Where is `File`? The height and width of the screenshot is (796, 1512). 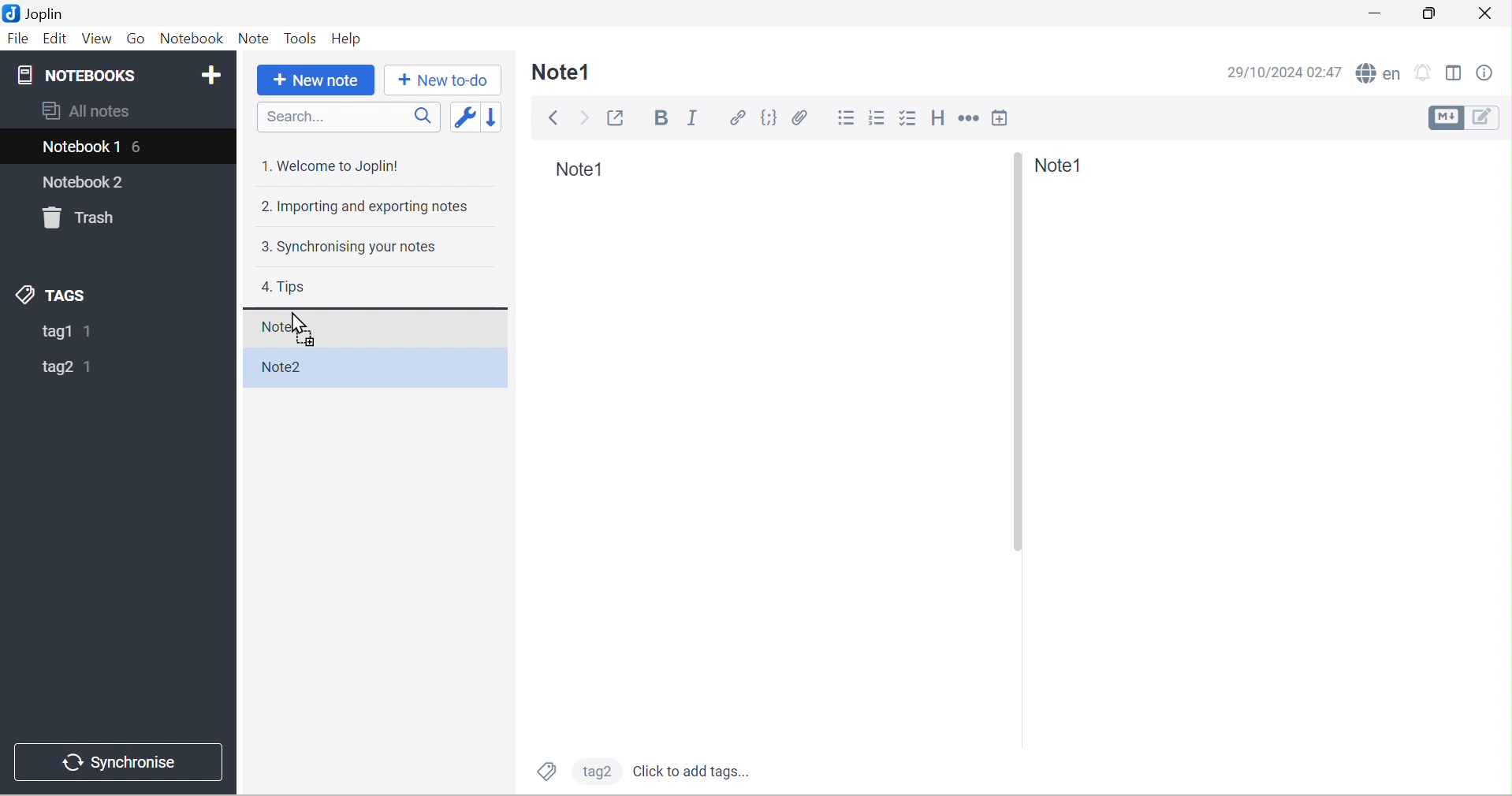
File is located at coordinates (17, 39).